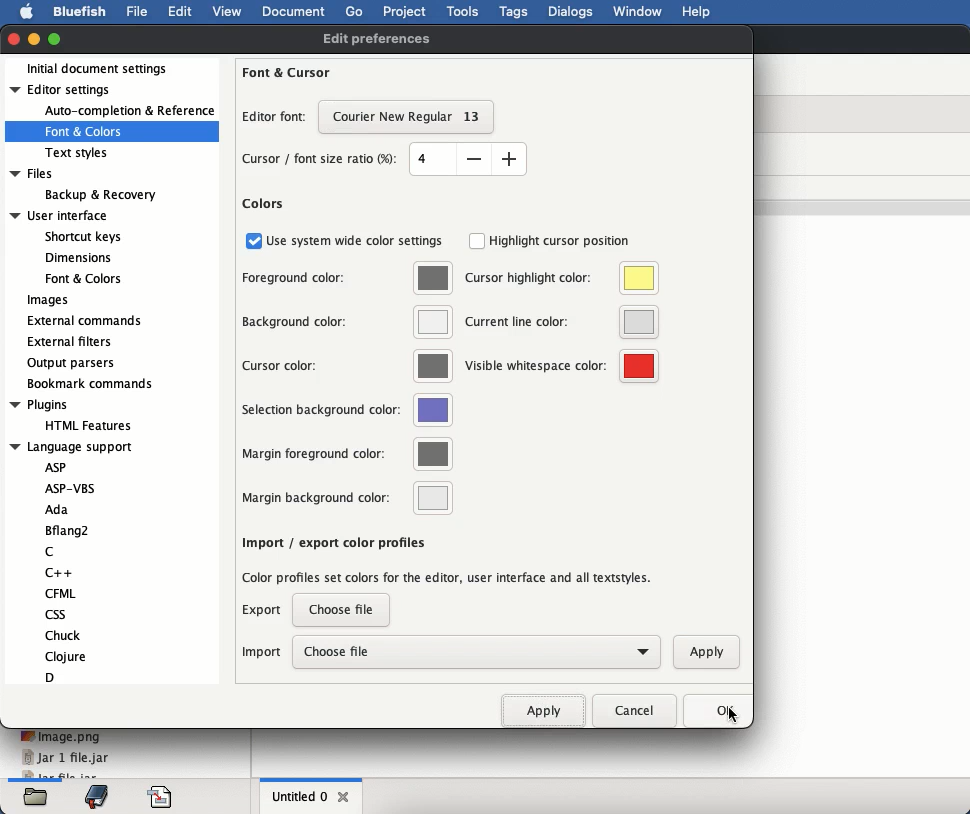  Describe the element at coordinates (230, 11) in the screenshot. I see `view` at that location.